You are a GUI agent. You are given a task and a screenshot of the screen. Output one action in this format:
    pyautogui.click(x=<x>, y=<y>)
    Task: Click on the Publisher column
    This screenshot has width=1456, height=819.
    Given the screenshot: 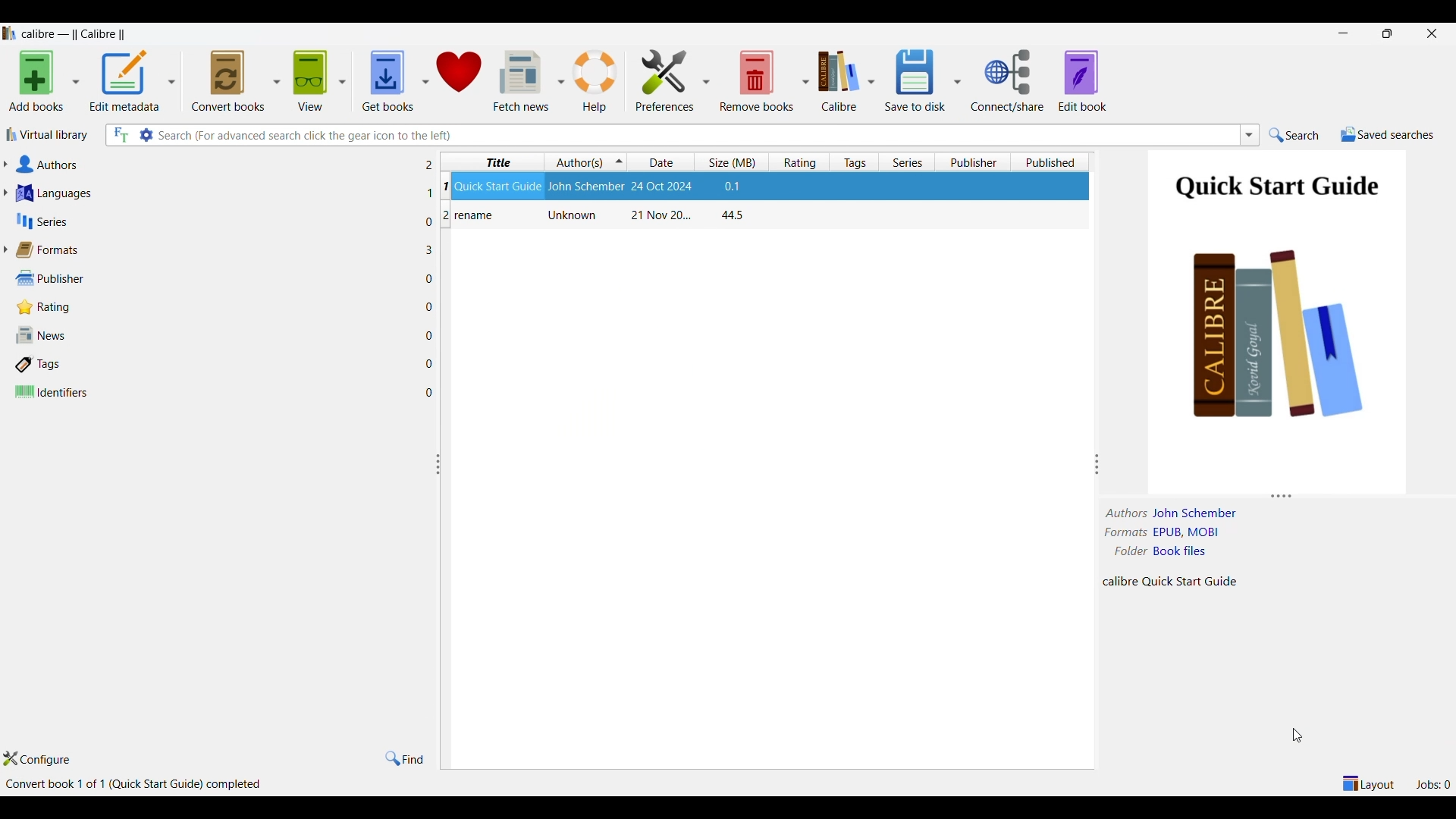 What is the action you would take?
    pyautogui.click(x=973, y=162)
    